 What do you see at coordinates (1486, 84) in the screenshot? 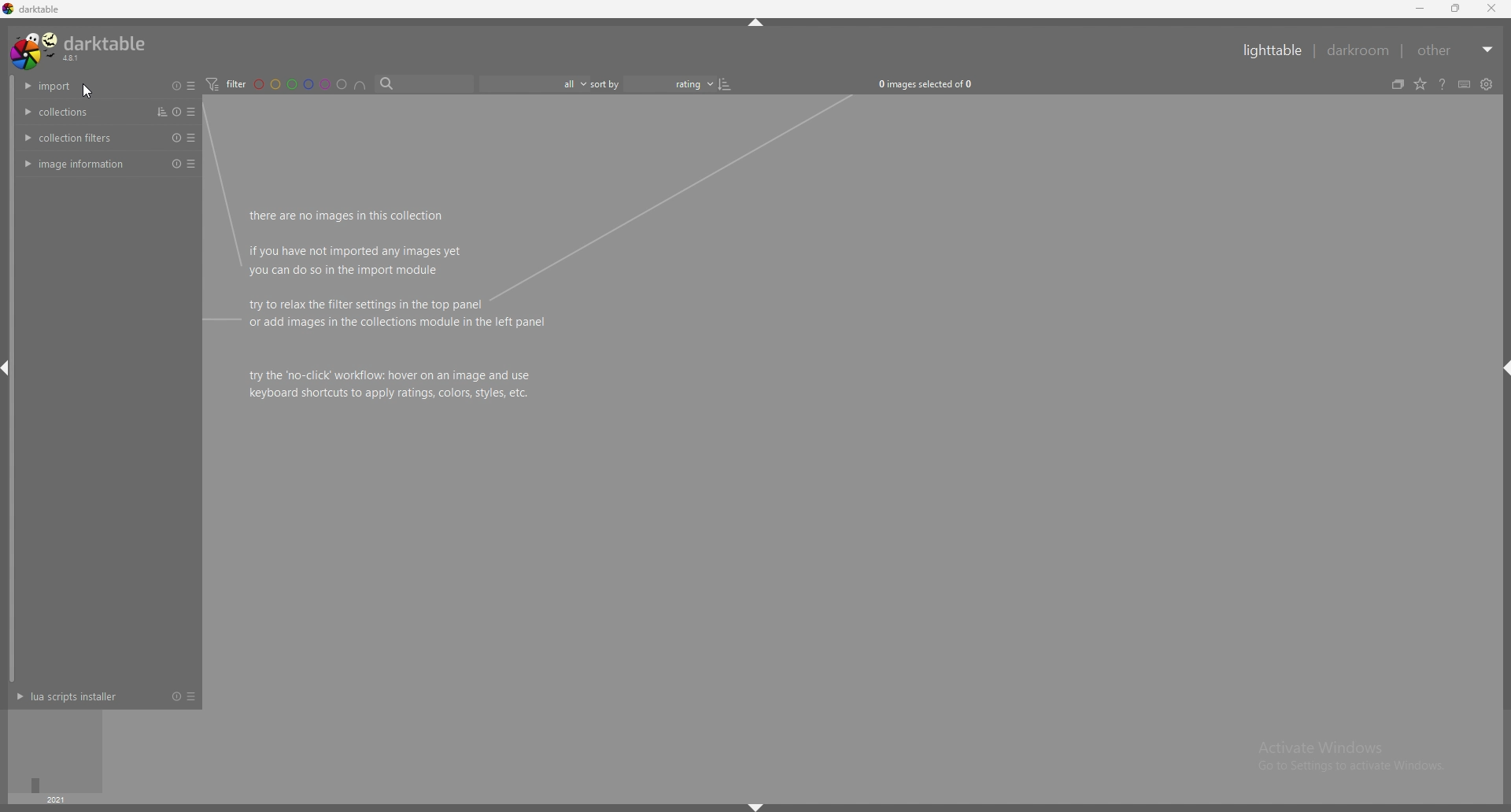
I see `show global preferences` at bounding box center [1486, 84].